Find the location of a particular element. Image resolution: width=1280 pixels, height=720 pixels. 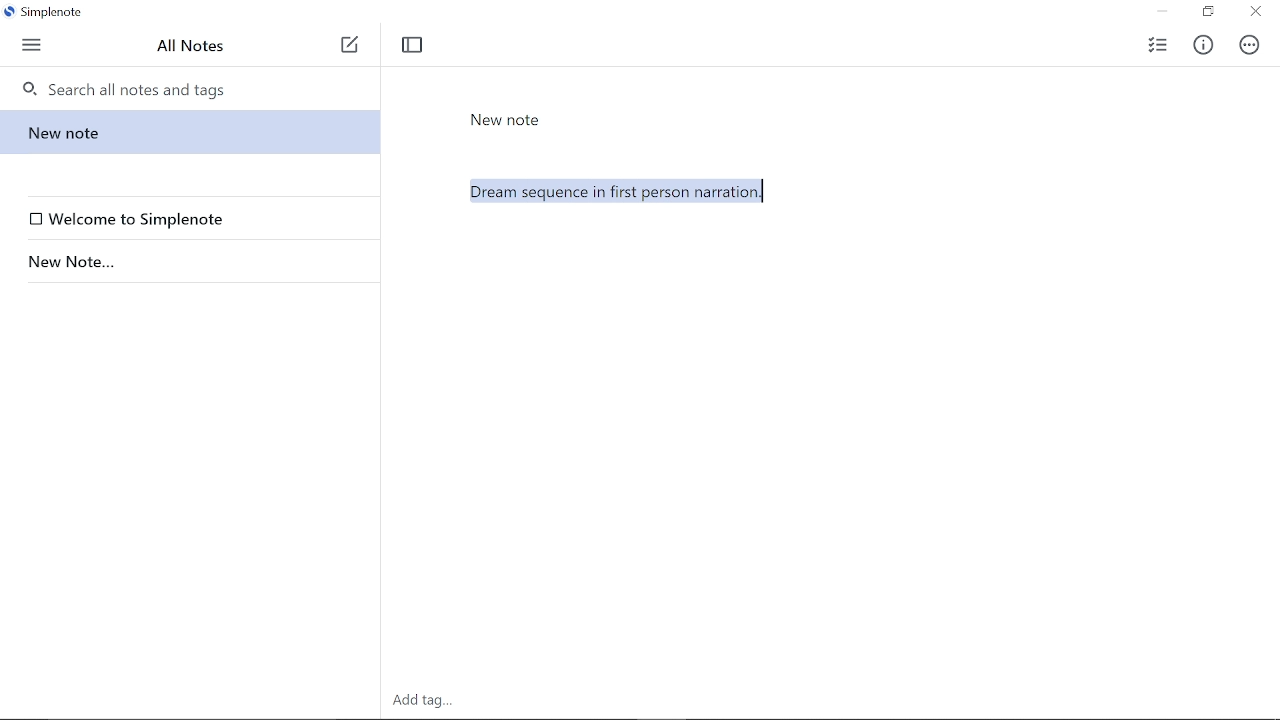

All notes is located at coordinates (192, 45).